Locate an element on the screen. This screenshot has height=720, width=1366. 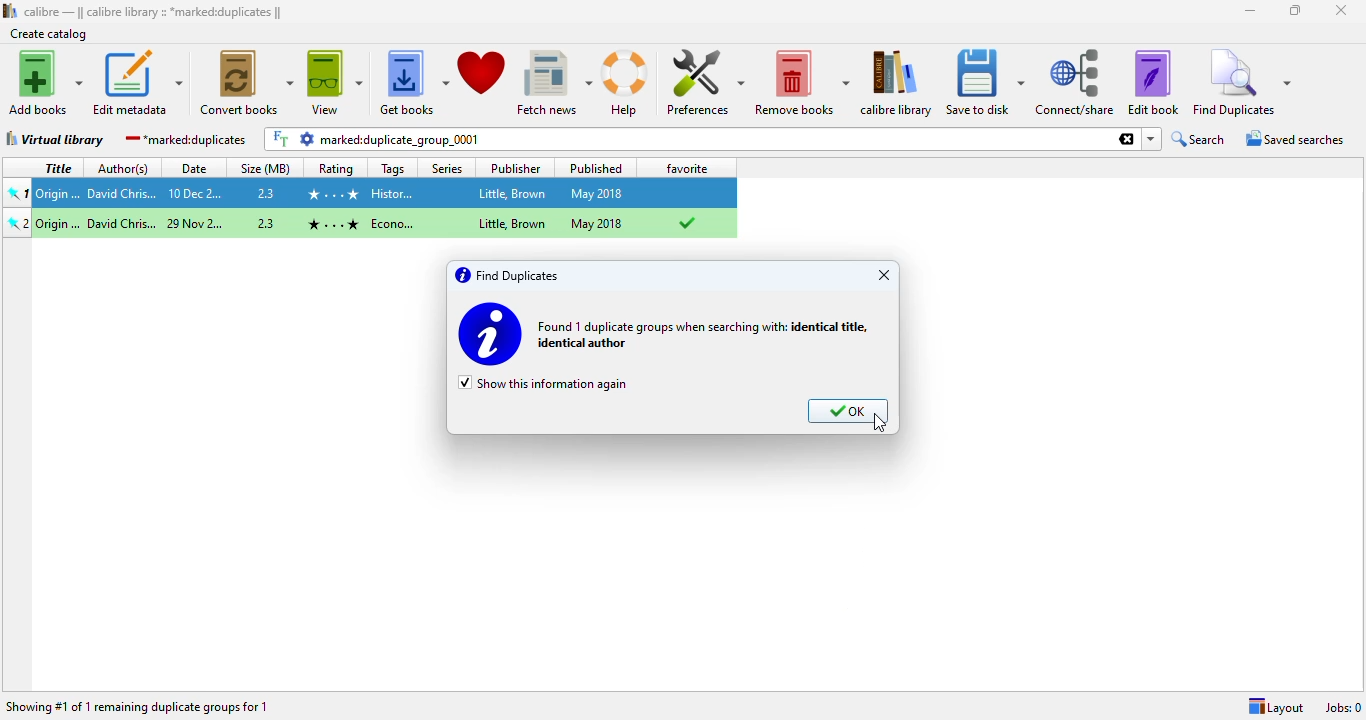
logo is located at coordinates (9, 11).